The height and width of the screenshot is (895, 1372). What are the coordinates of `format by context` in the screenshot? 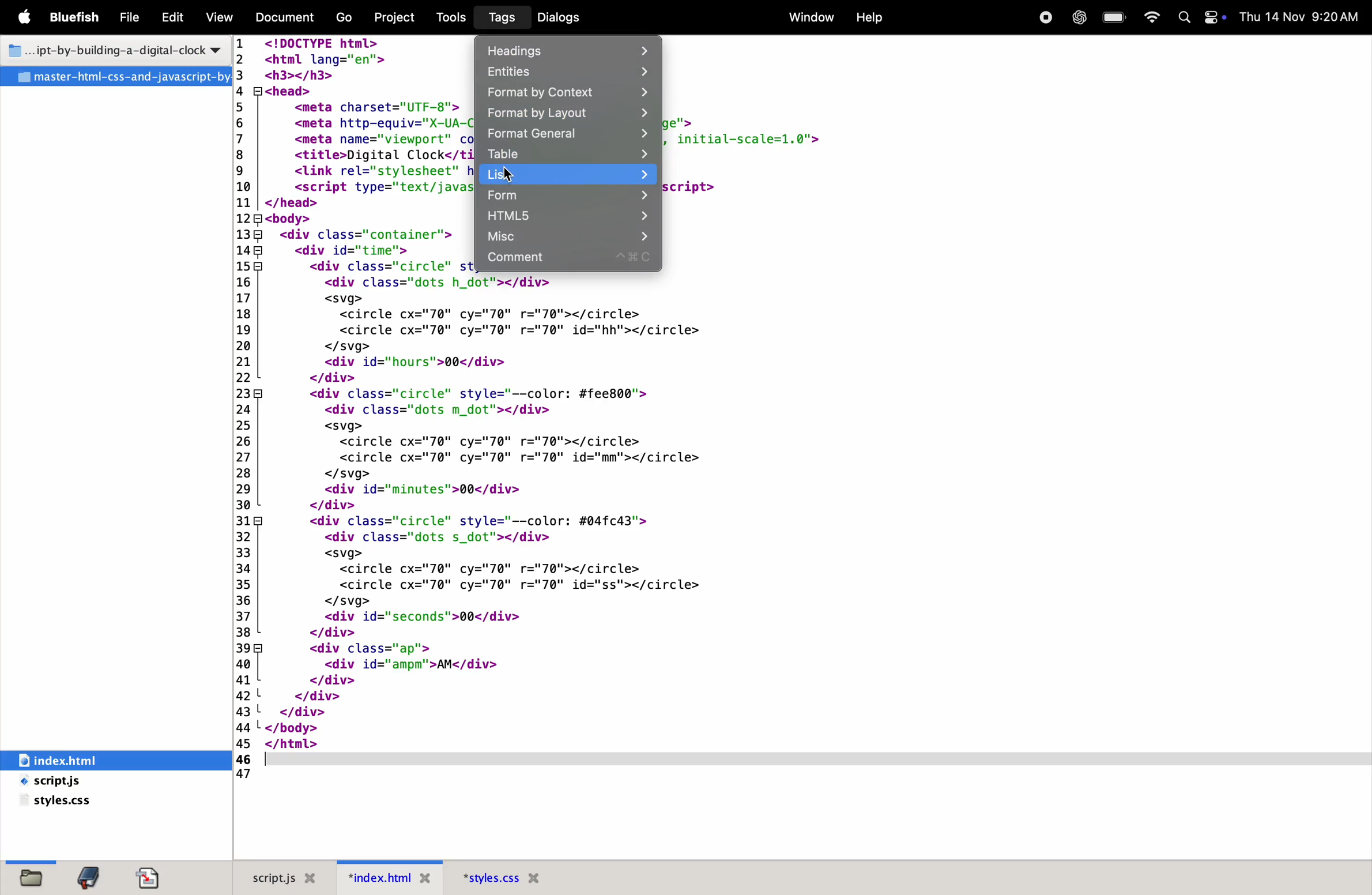 It's located at (566, 94).